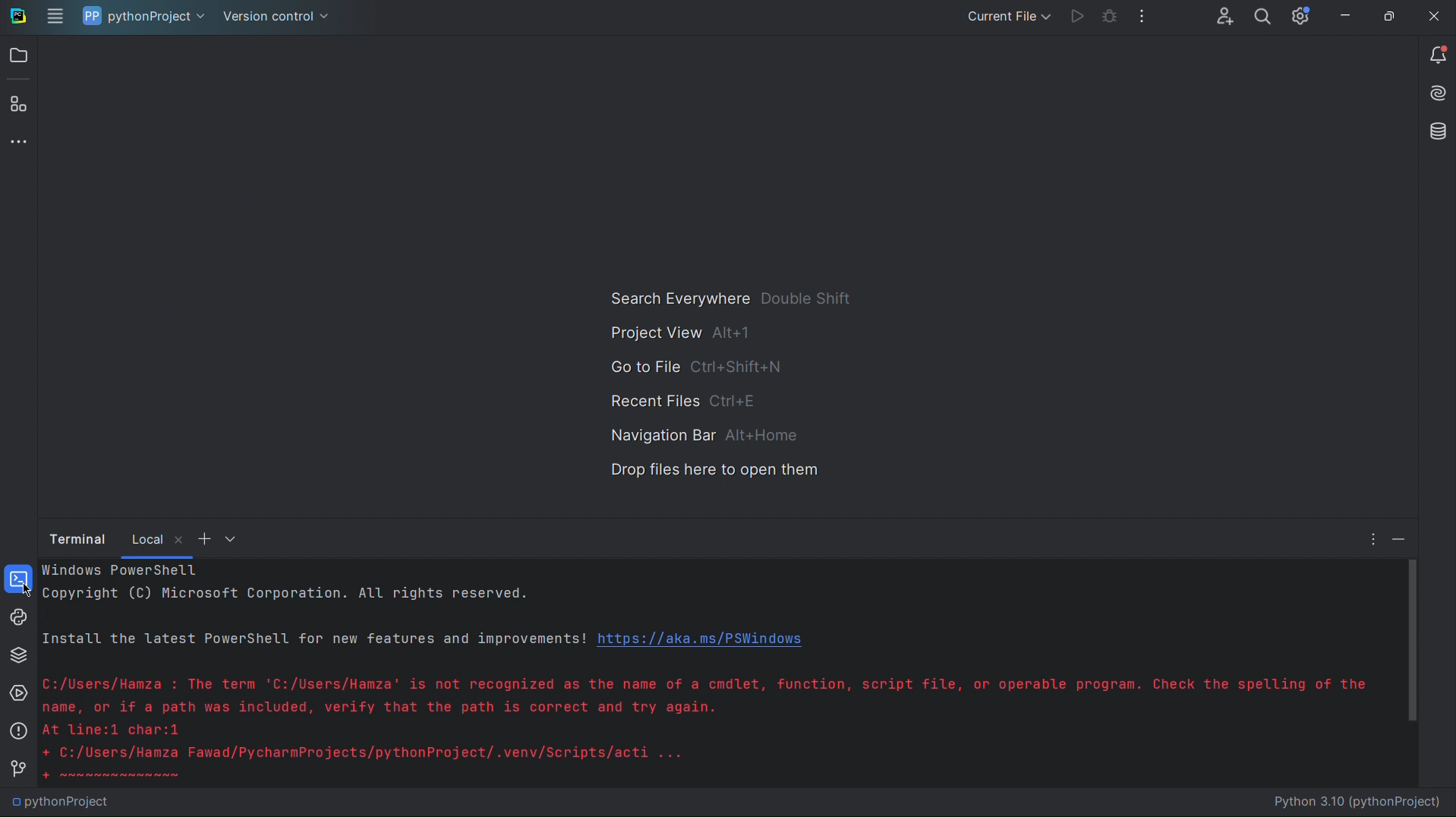 The image size is (1456, 817). Describe the element at coordinates (75, 539) in the screenshot. I see `Terminal` at that location.